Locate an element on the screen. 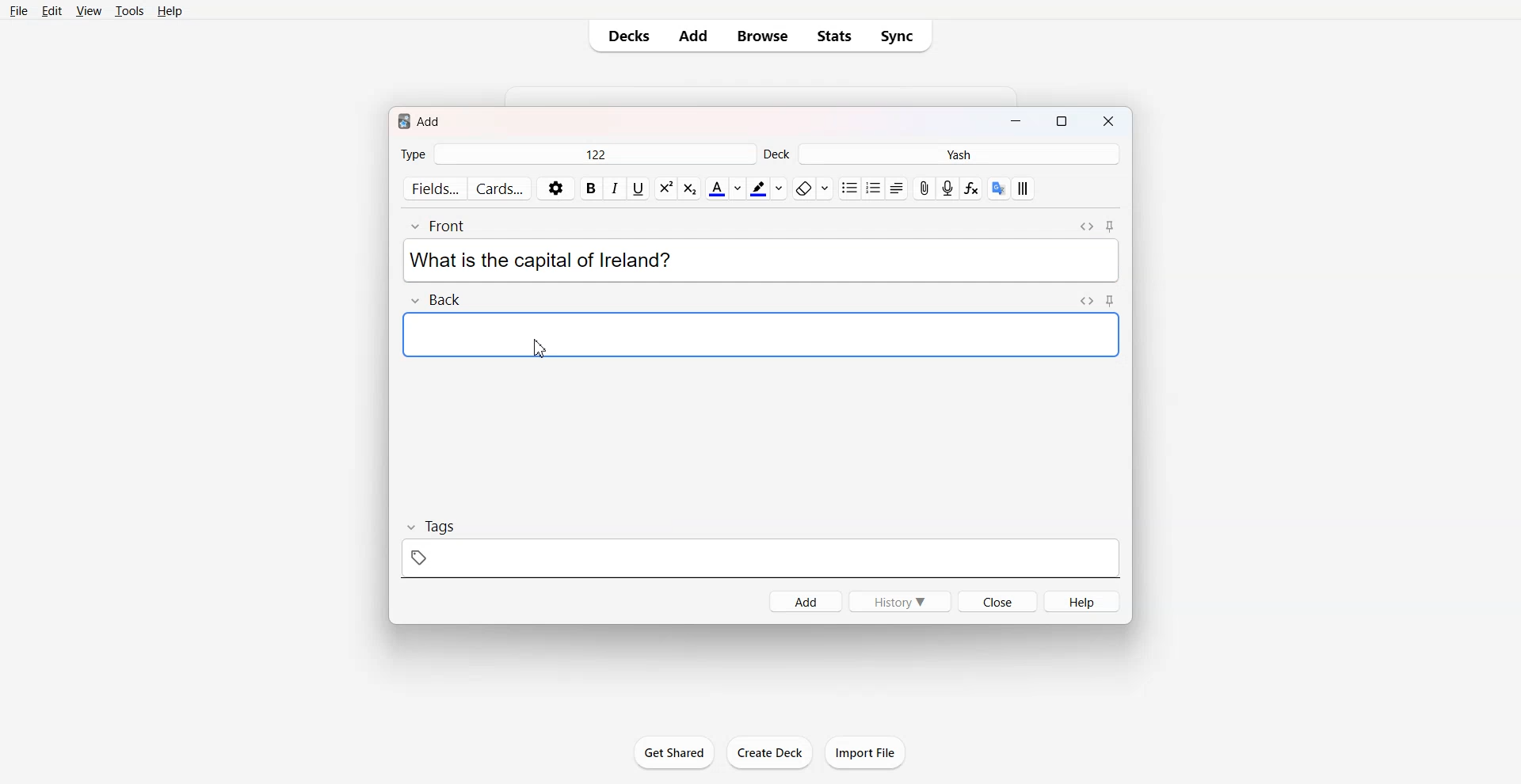 This screenshot has height=784, width=1521. Toggle Sticky is located at coordinates (1111, 226).